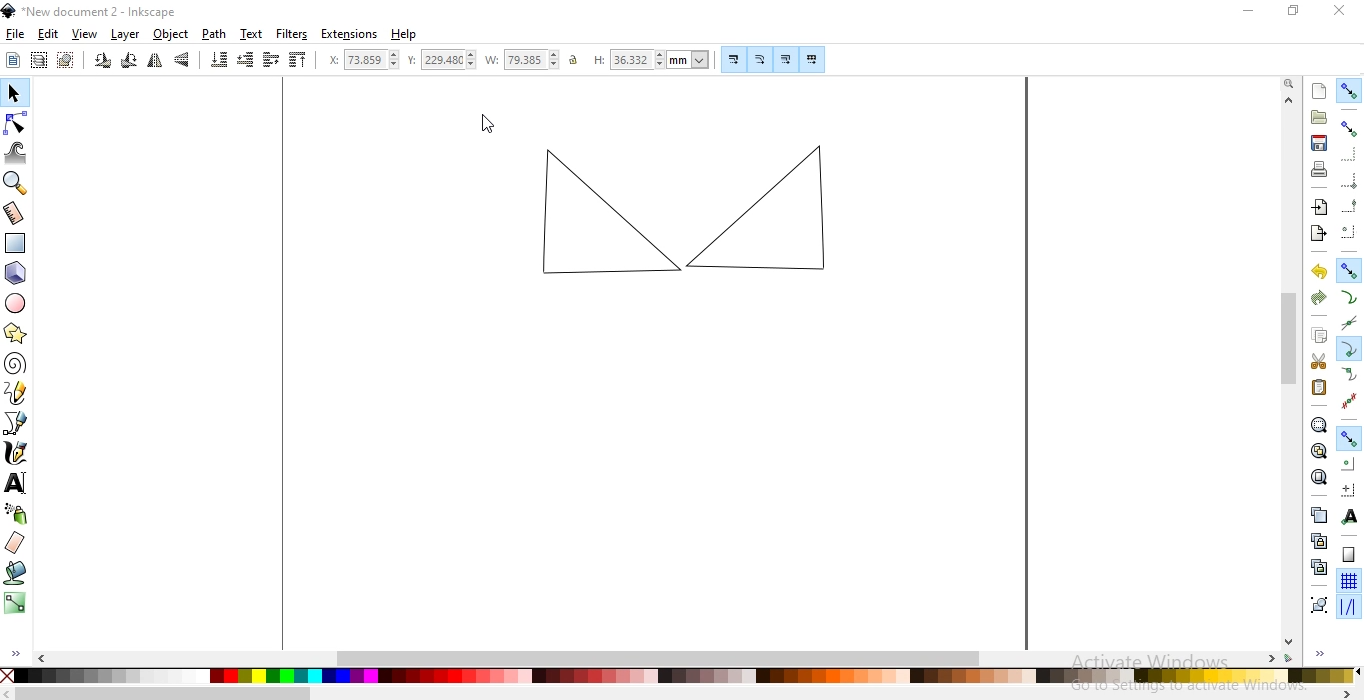 The width and height of the screenshot is (1364, 700). I want to click on enable snapping, so click(1349, 91).